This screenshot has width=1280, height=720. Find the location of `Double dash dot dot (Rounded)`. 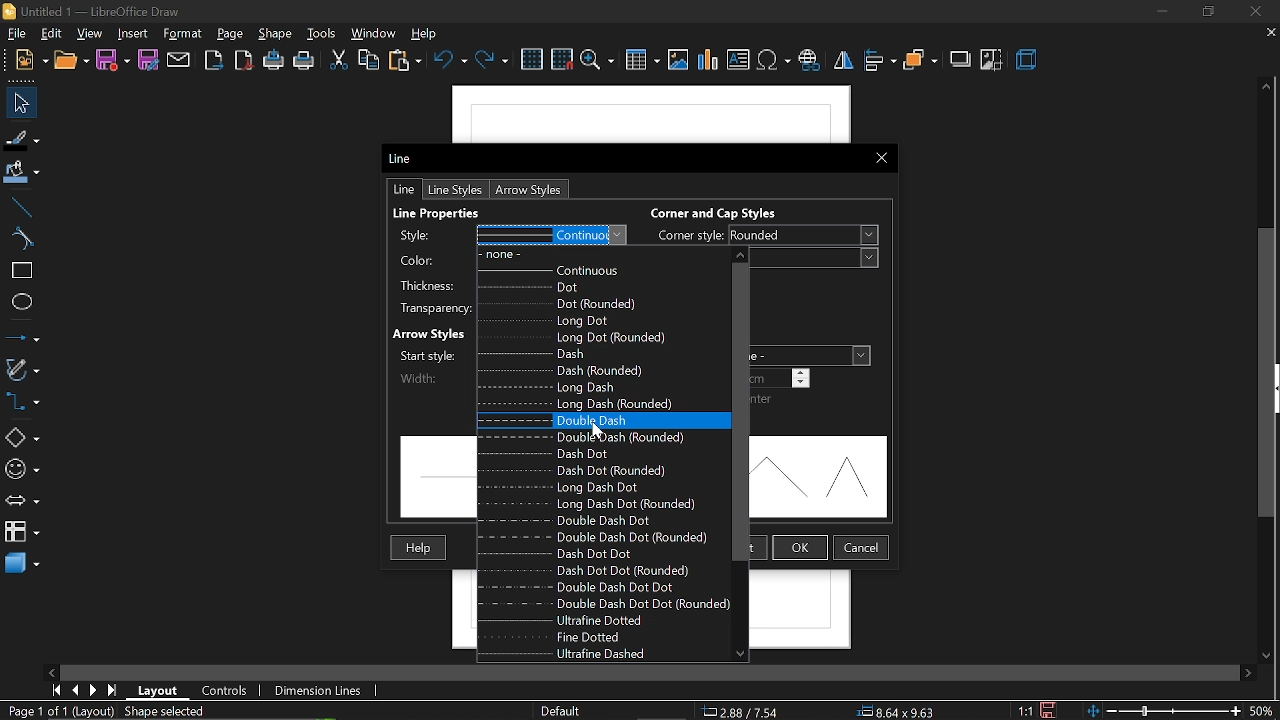

Double dash dot dot (Rounded) is located at coordinates (610, 603).